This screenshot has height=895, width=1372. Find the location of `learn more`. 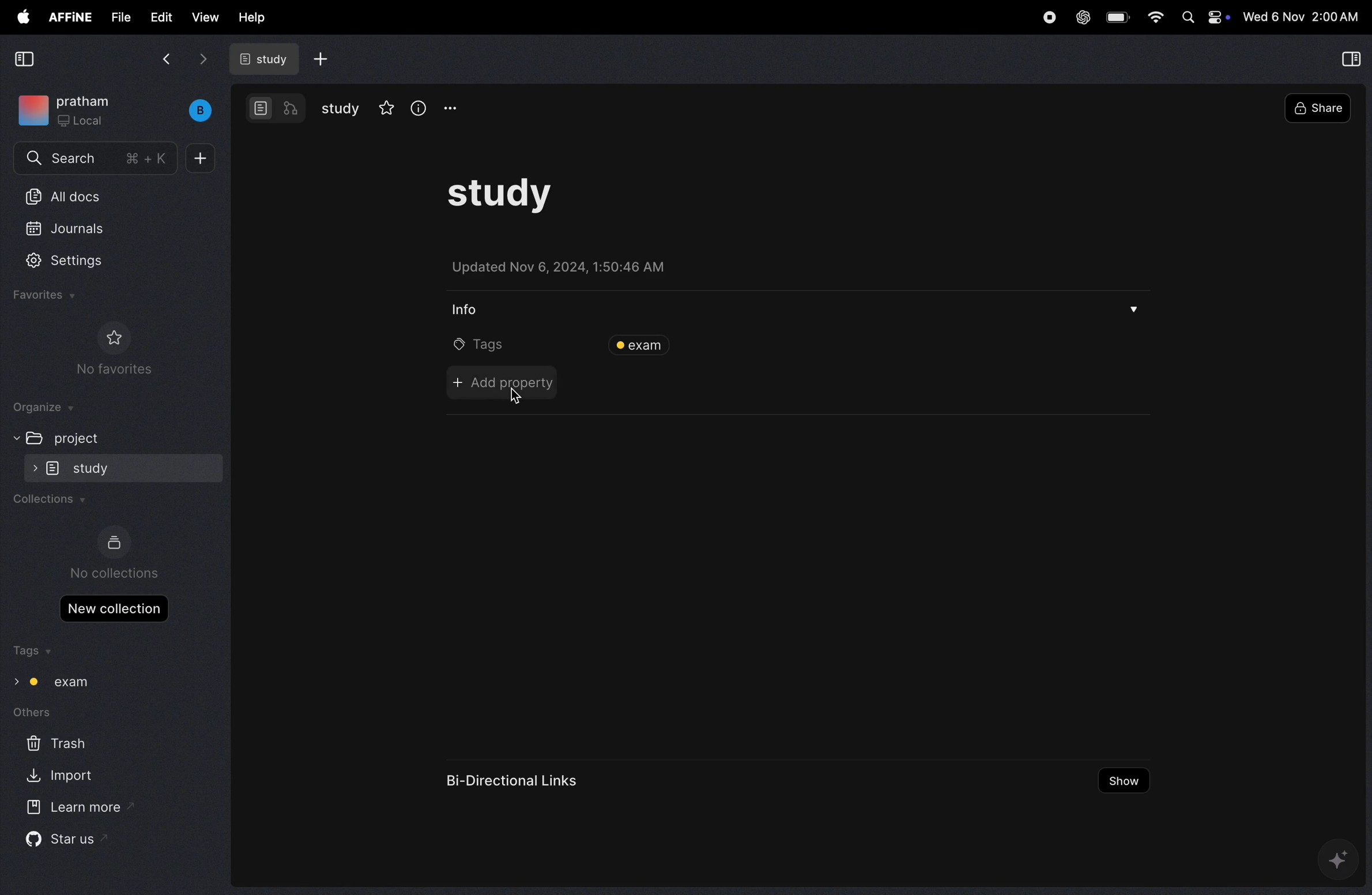

learn more is located at coordinates (82, 808).